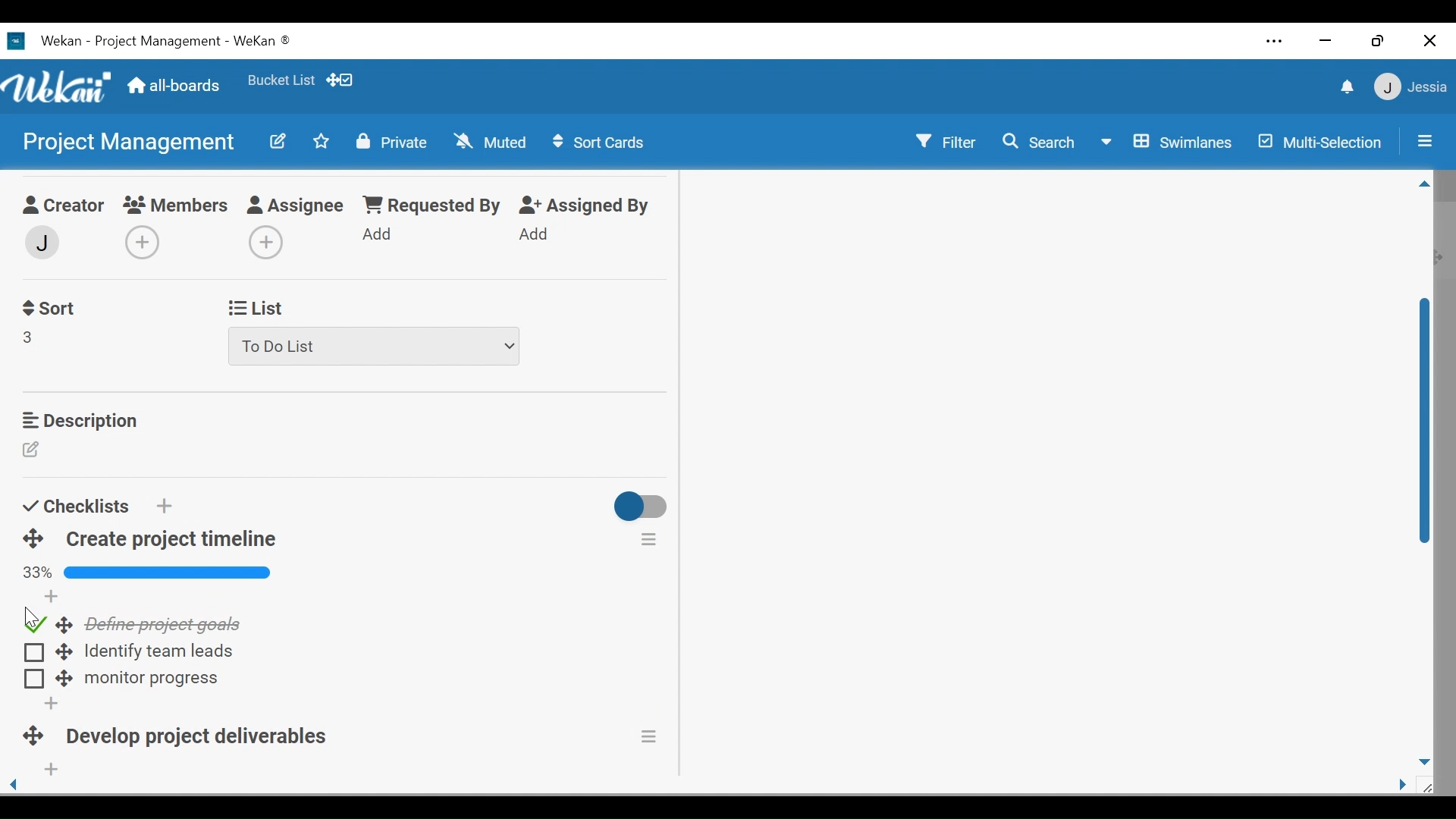 This screenshot has height=819, width=1456. What do you see at coordinates (280, 143) in the screenshot?
I see `Edit` at bounding box center [280, 143].